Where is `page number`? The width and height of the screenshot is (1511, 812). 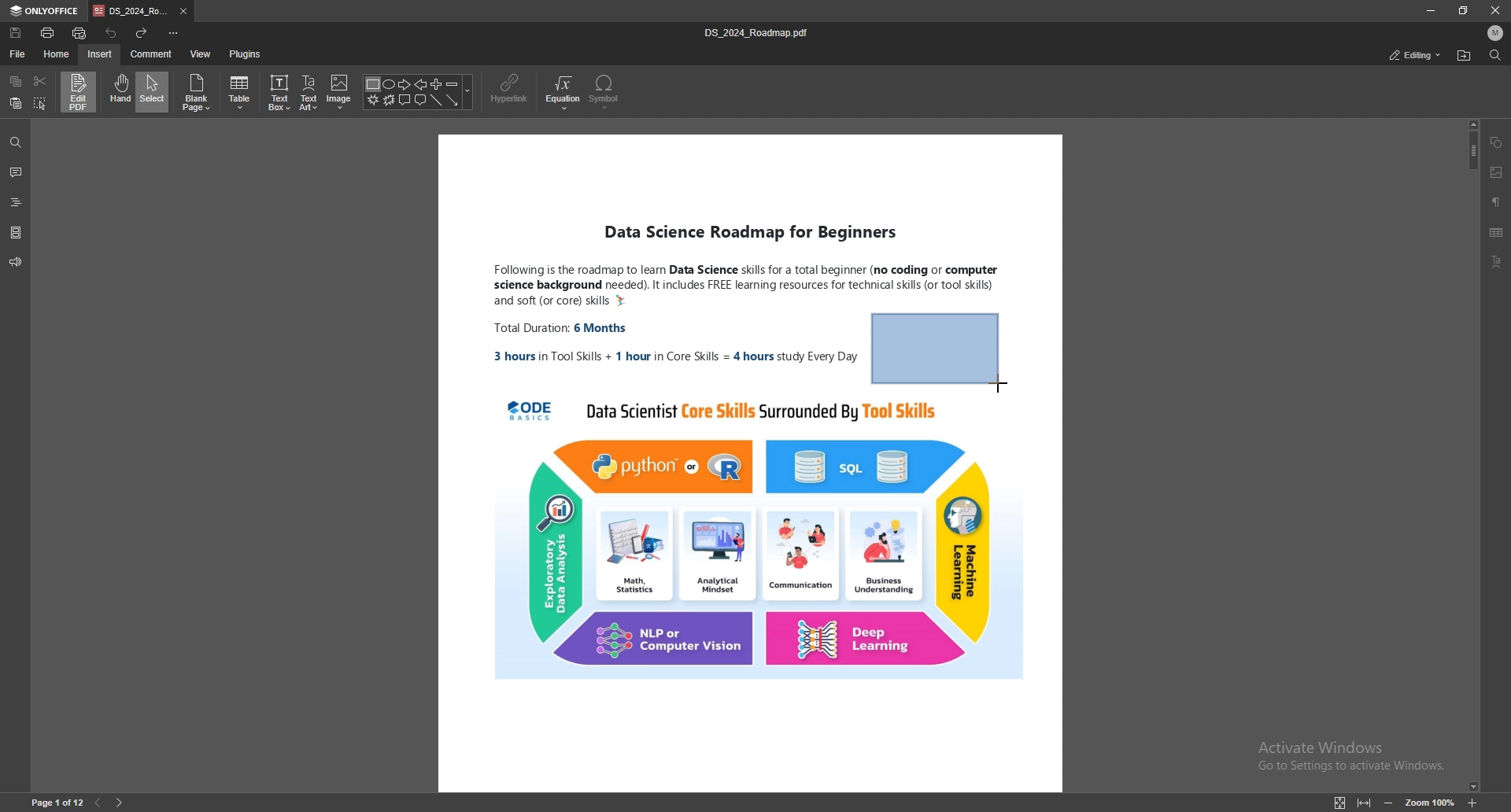
page number is located at coordinates (57, 803).